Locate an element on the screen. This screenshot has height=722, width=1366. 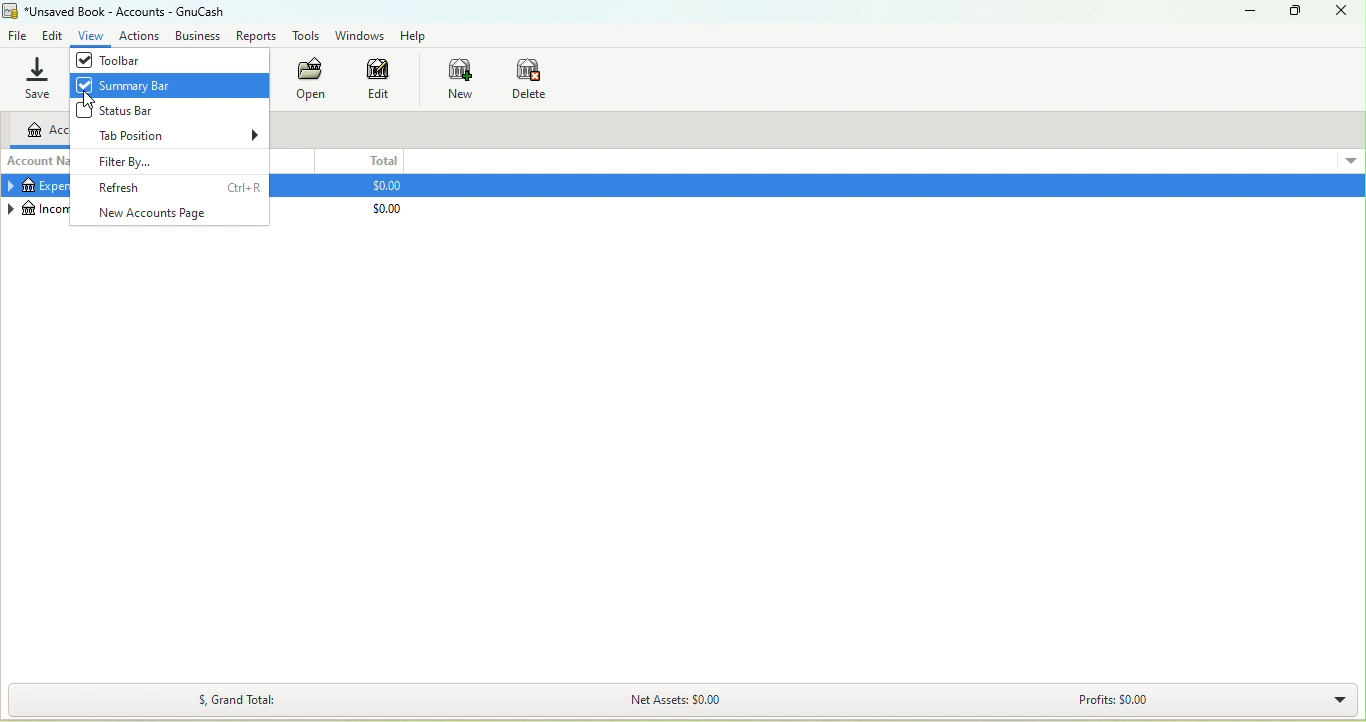
Net Assets: $0.00 is located at coordinates (683, 702).